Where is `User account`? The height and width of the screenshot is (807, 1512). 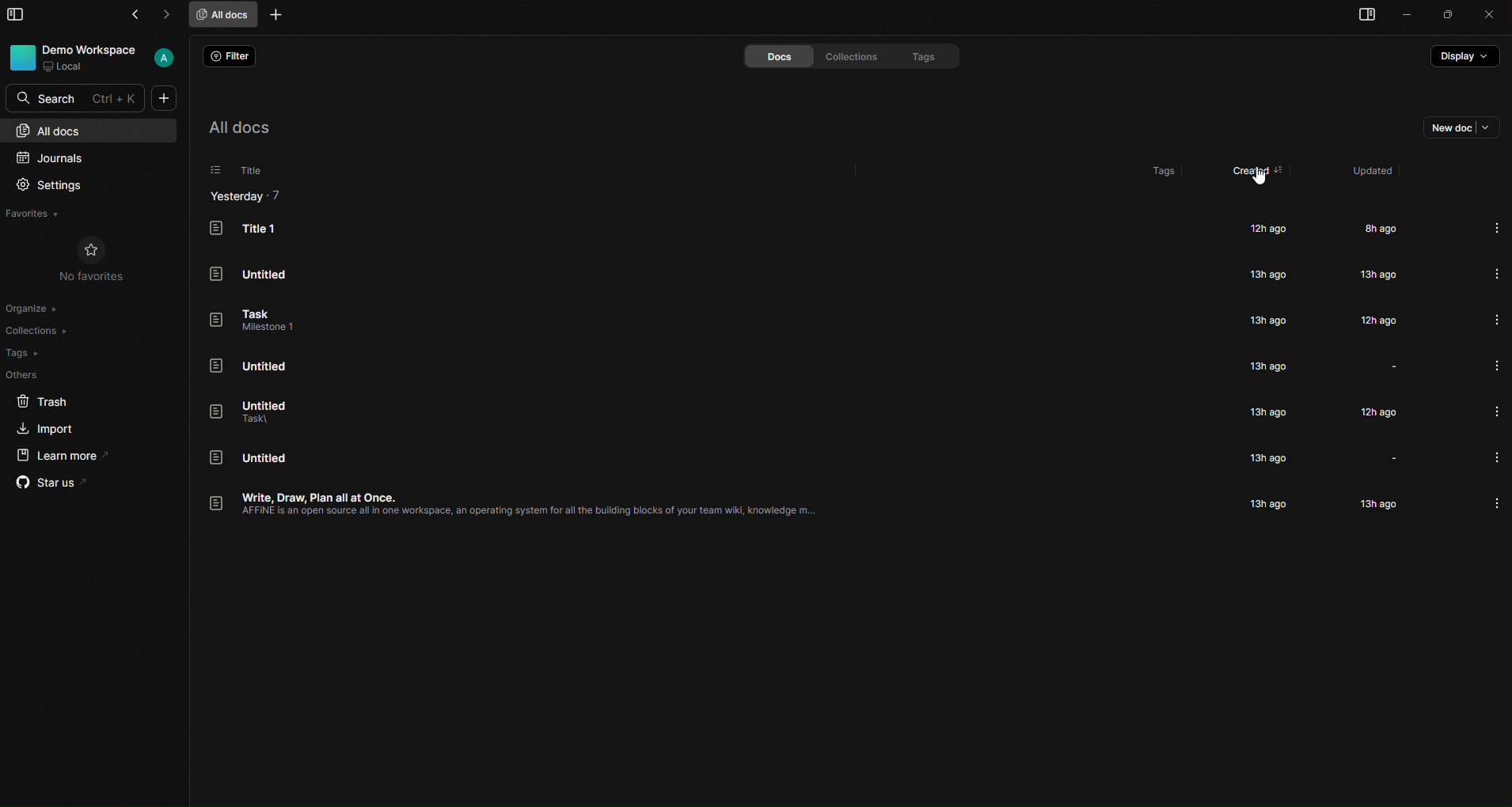 User account is located at coordinates (165, 57).